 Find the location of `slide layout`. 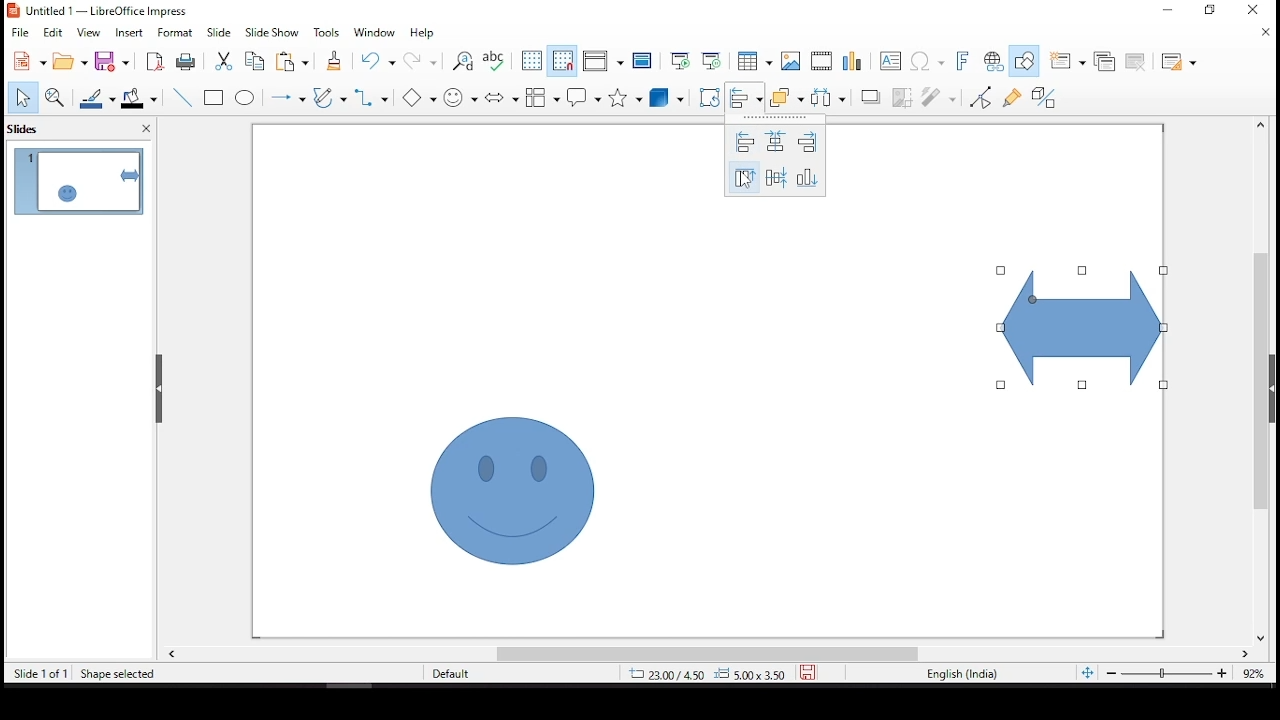

slide layout is located at coordinates (1179, 63).